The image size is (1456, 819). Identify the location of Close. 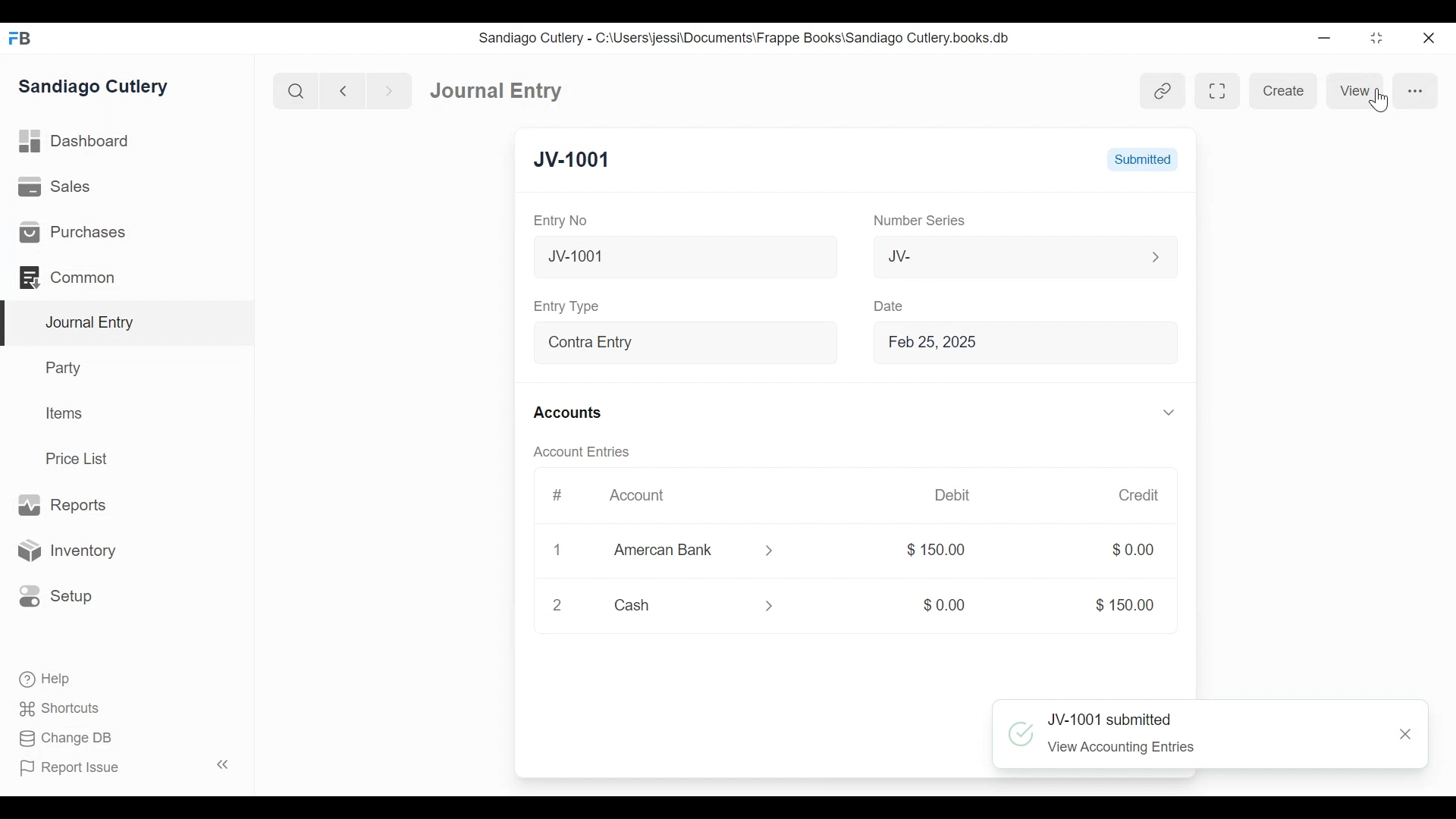
(1407, 736).